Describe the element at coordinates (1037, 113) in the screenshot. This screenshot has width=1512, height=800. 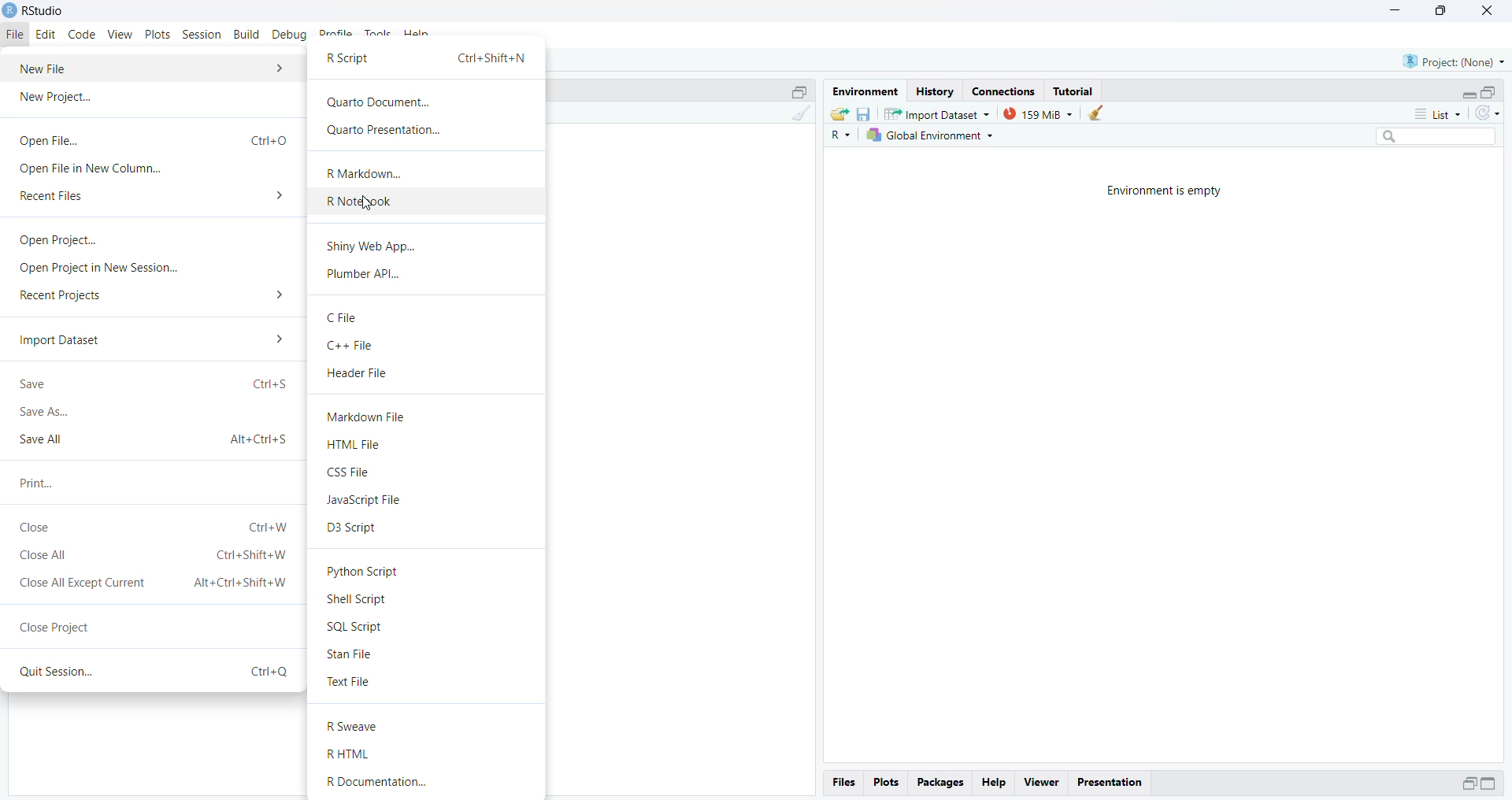
I see `159 MB` at that location.